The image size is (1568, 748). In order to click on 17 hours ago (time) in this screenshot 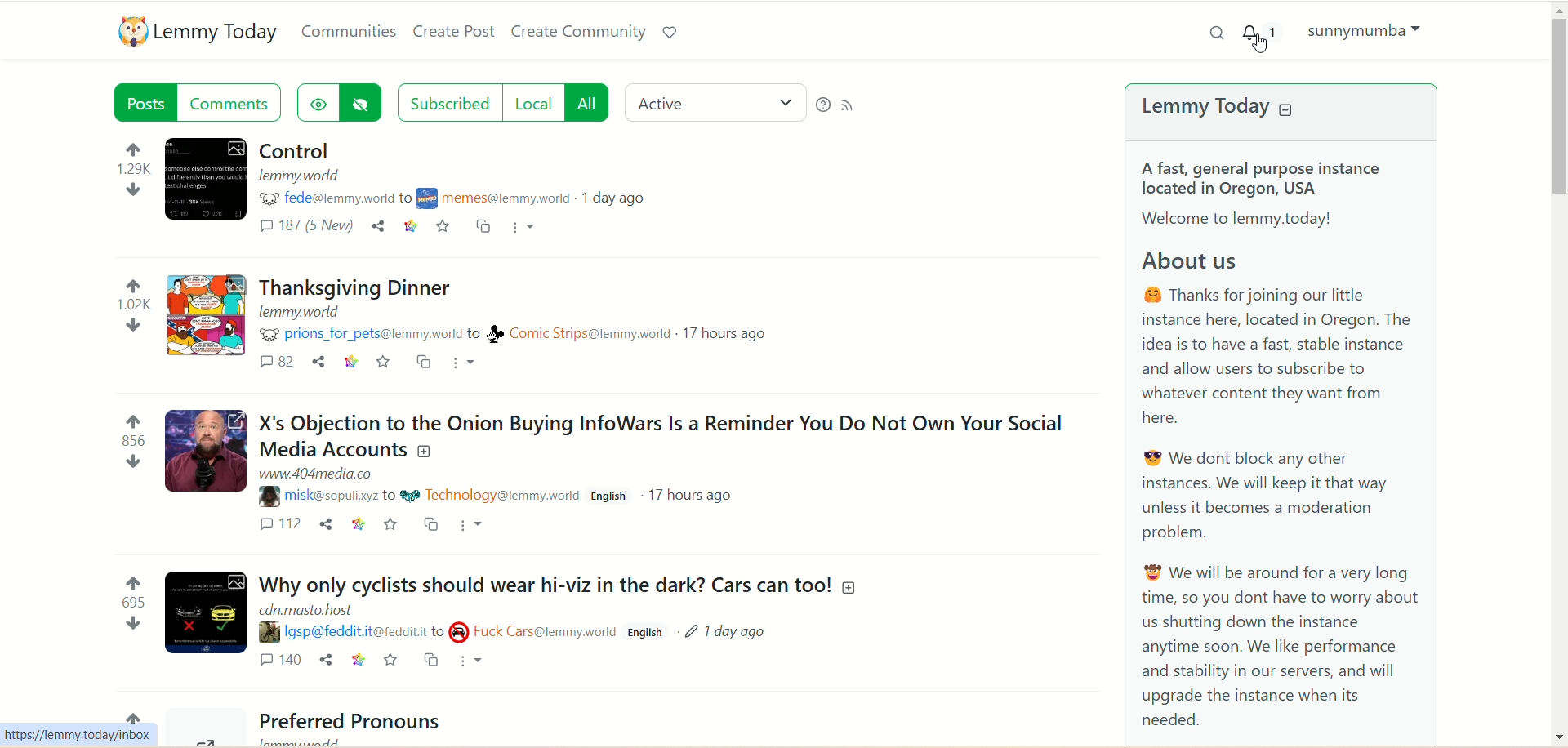, I will do `click(729, 333)`.